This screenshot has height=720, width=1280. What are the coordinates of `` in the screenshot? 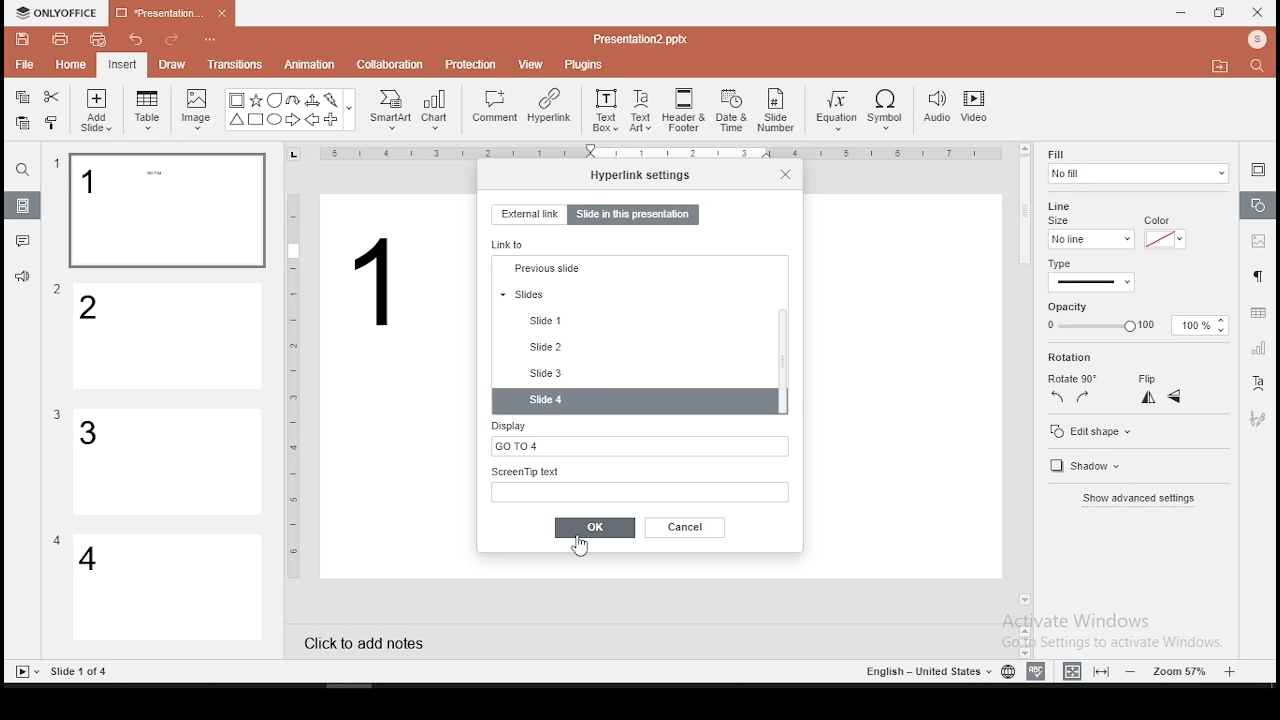 It's located at (81, 672).